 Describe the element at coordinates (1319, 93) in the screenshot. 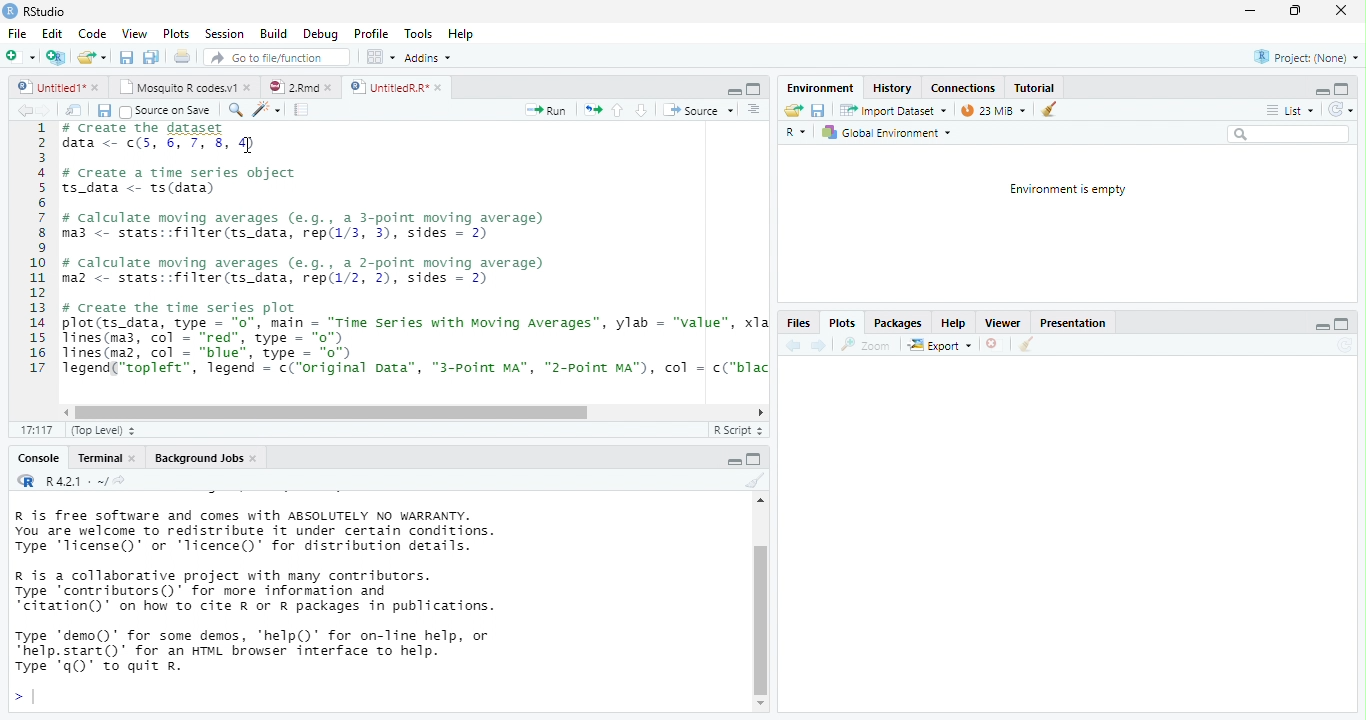

I see `minimize` at that location.